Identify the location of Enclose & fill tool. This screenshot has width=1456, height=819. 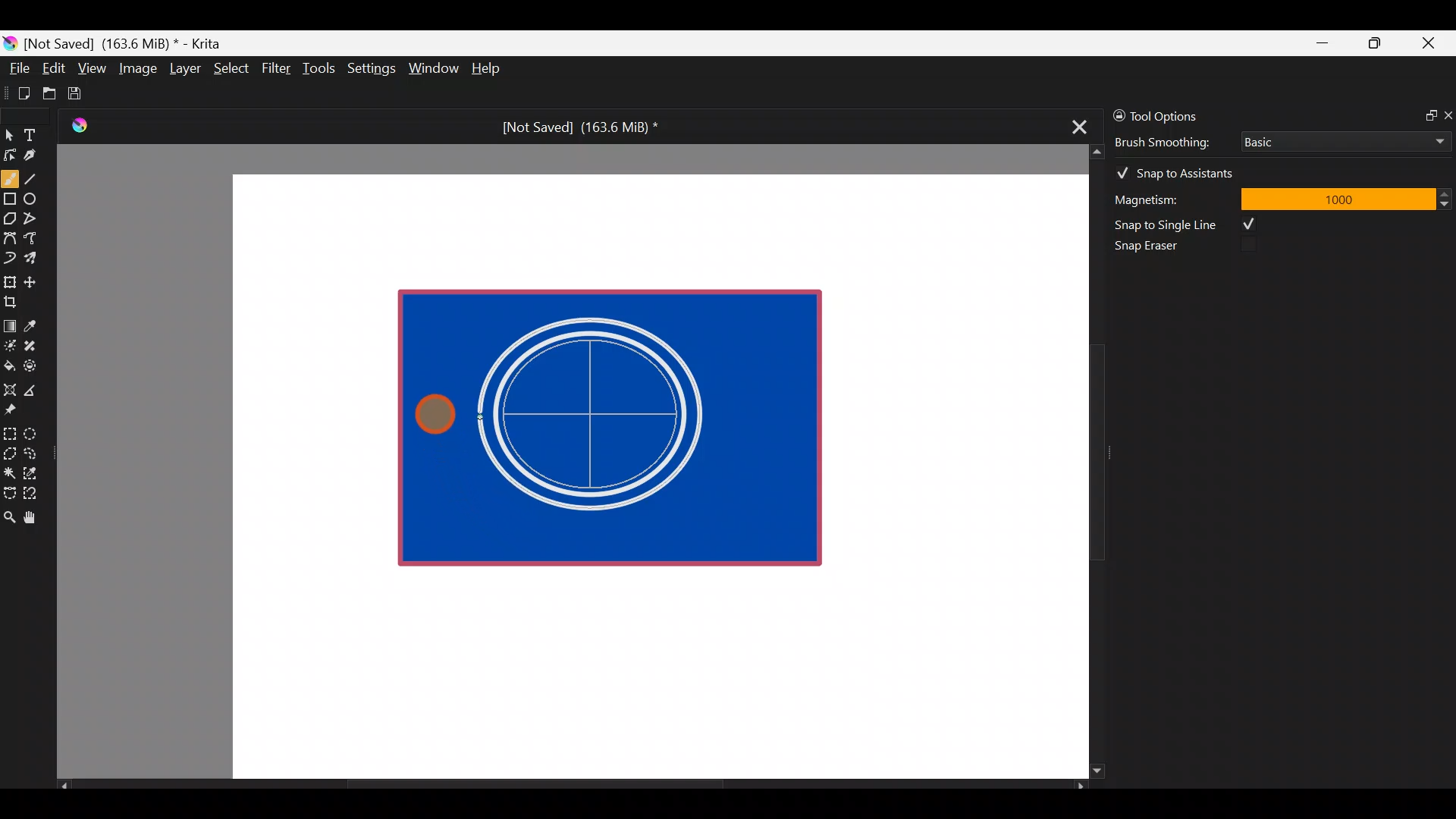
(33, 363).